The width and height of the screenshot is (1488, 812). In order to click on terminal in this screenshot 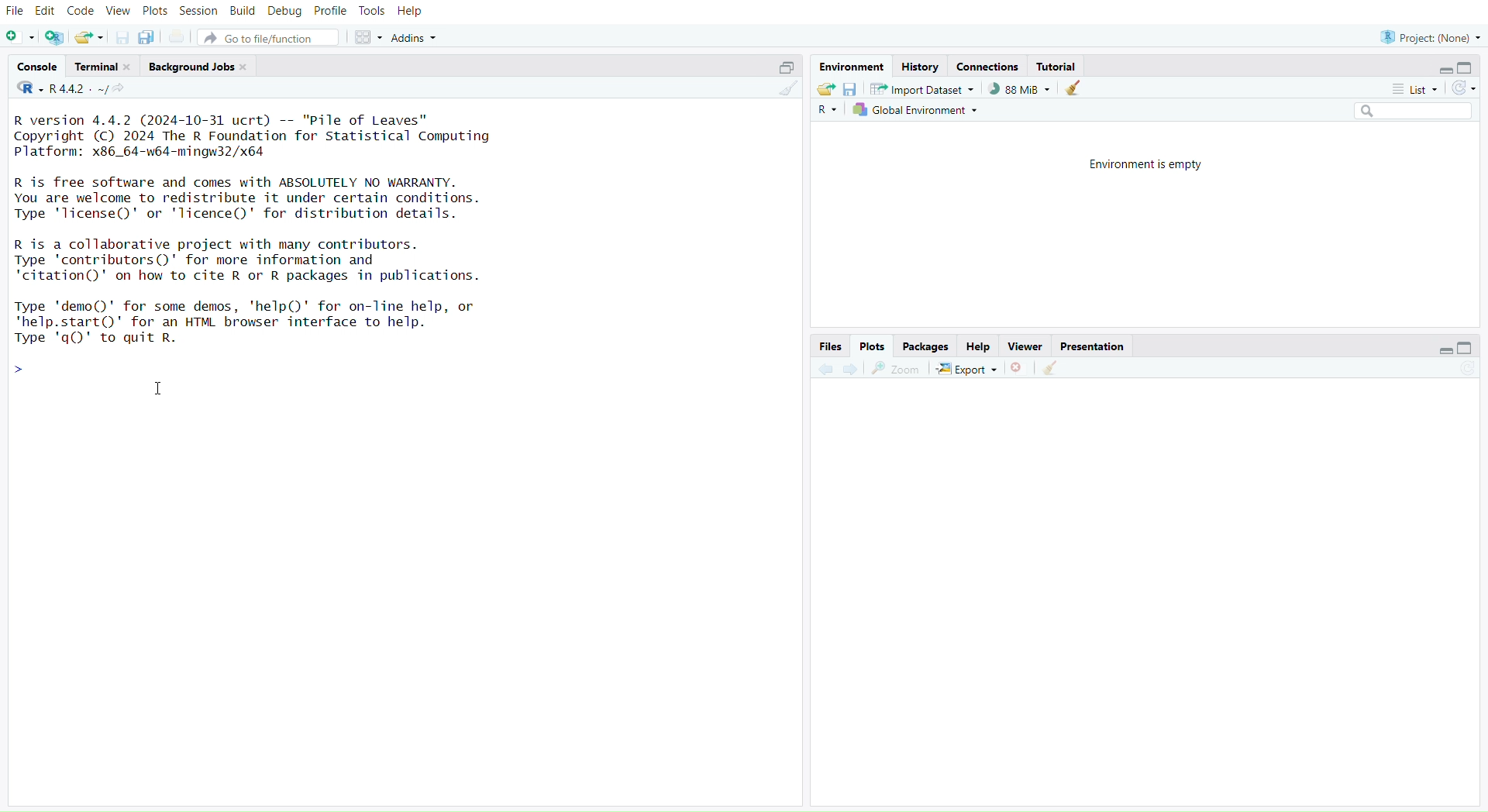, I will do `click(104, 67)`.